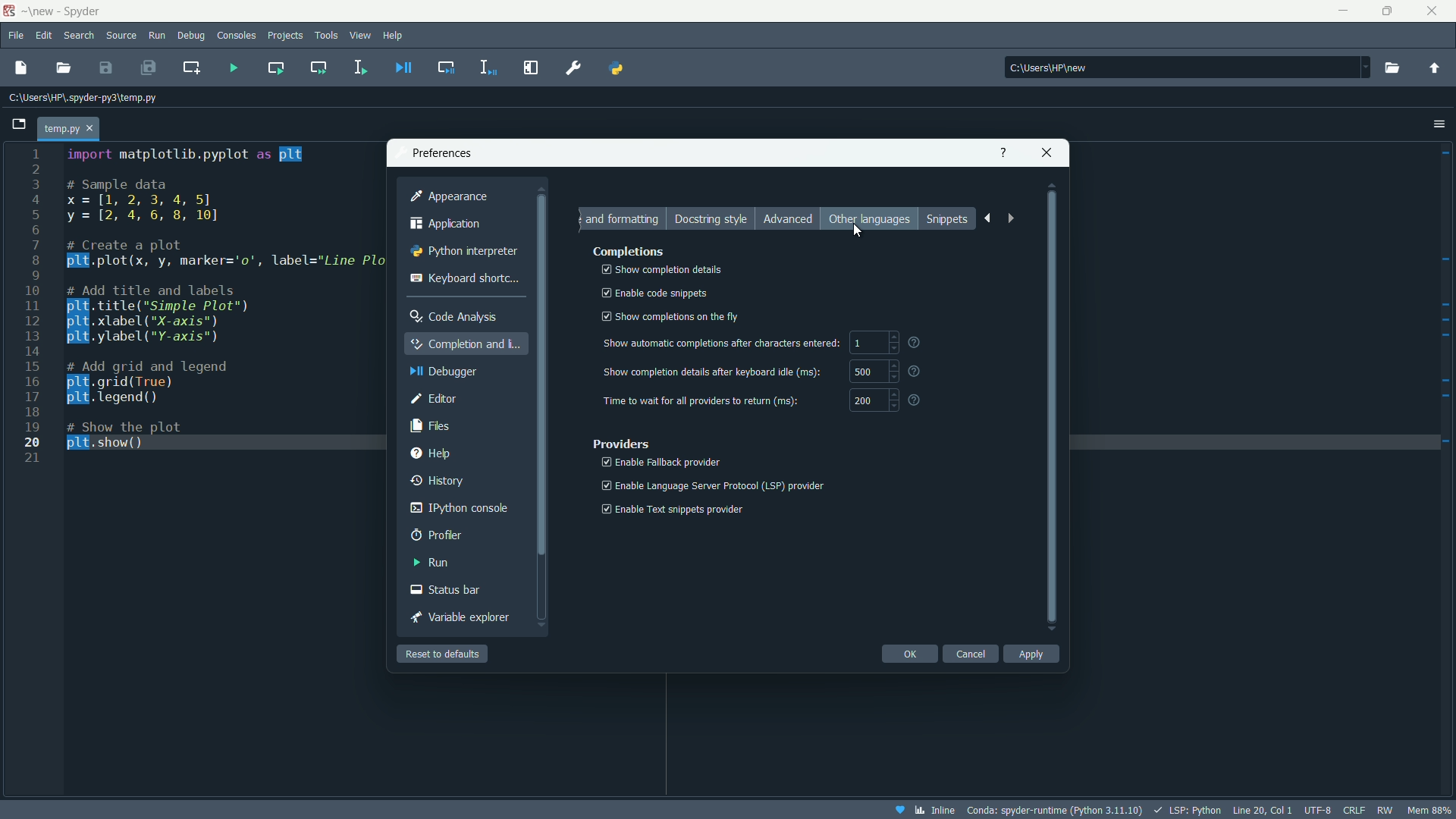 The height and width of the screenshot is (819, 1456). What do you see at coordinates (83, 11) in the screenshot?
I see `~\new - Spyder` at bounding box center [83, 11].